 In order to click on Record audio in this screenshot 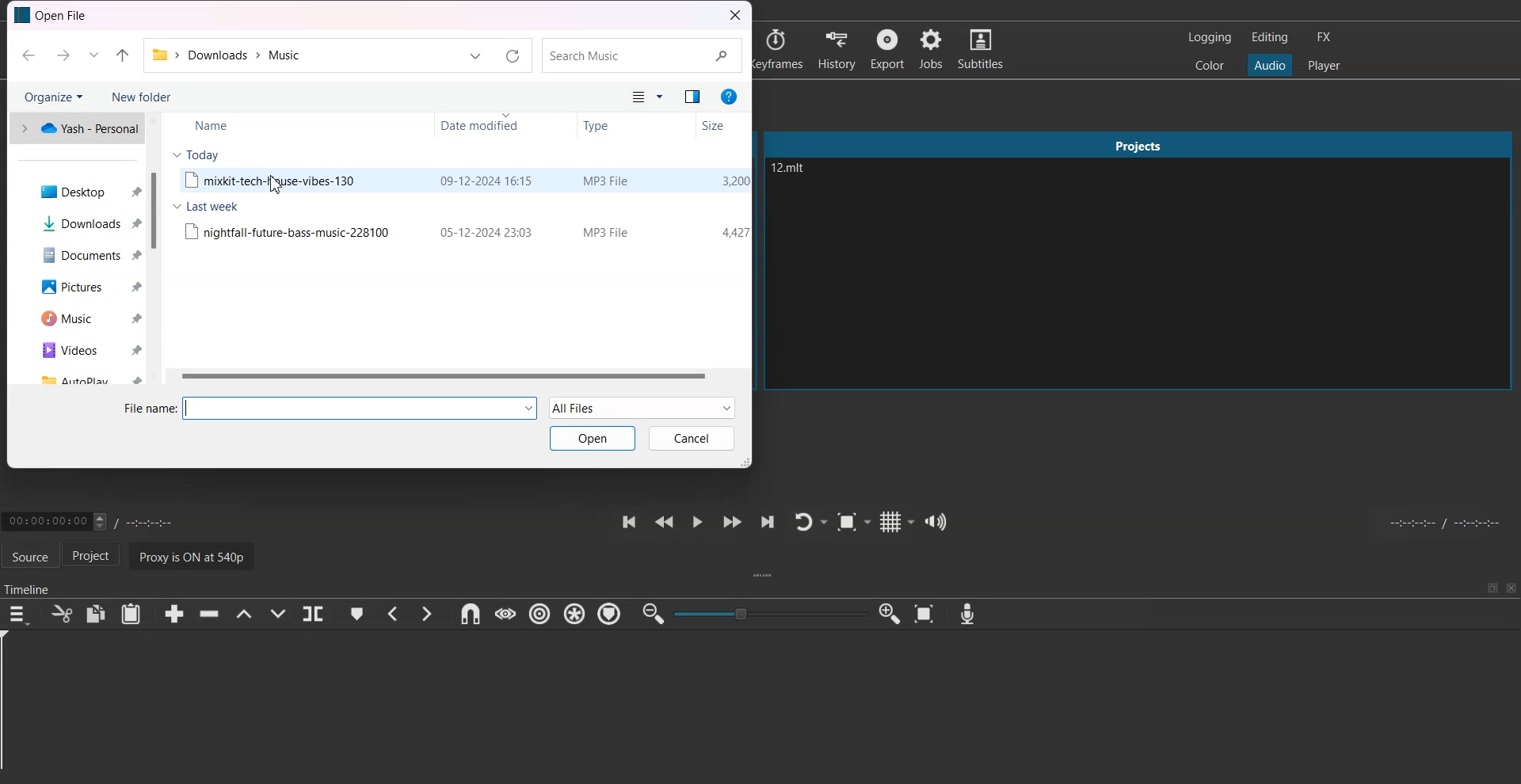, I will do `click(966, 614)`.